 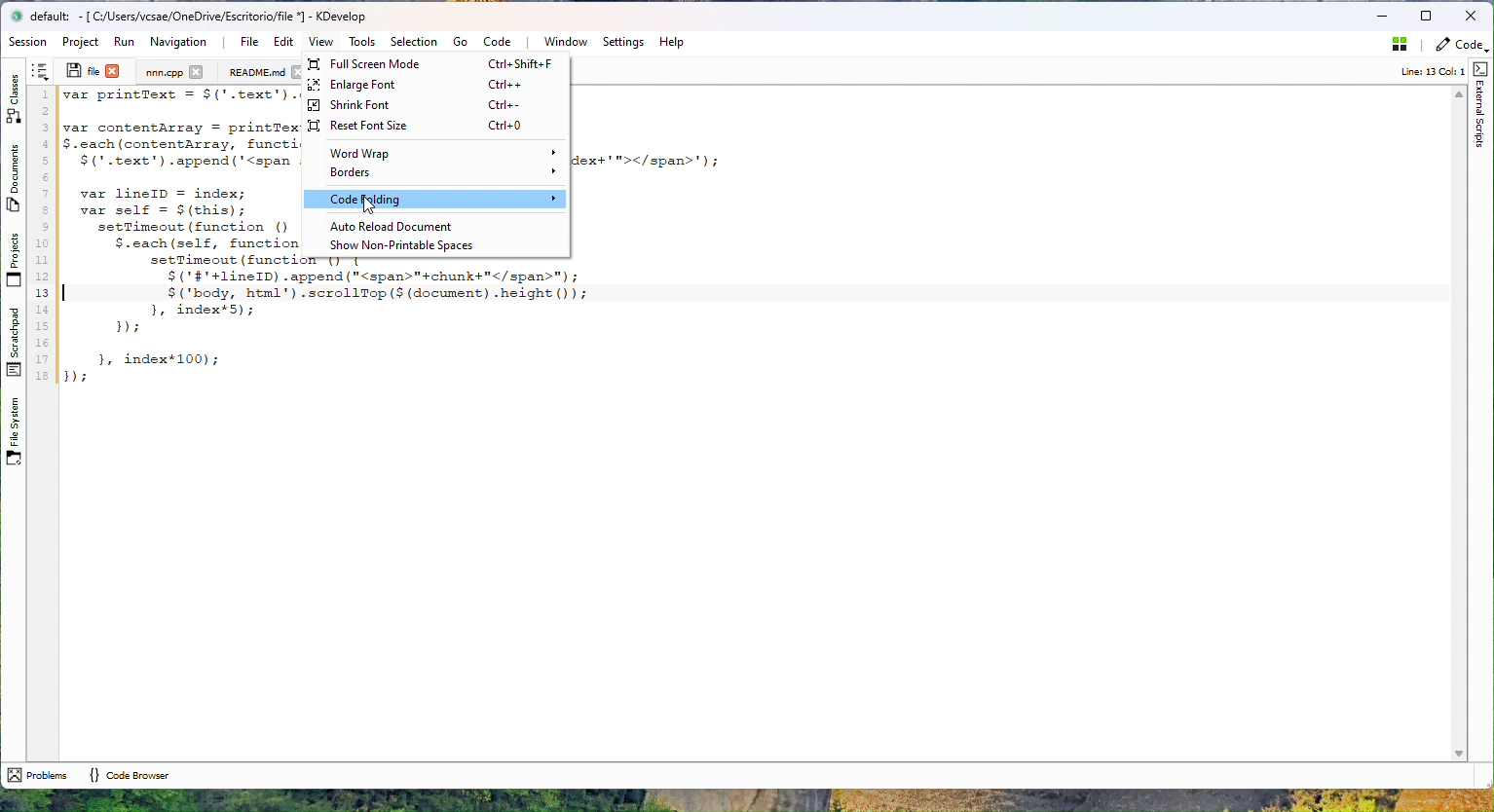 I want to click on View, so click(x=320, y=41).